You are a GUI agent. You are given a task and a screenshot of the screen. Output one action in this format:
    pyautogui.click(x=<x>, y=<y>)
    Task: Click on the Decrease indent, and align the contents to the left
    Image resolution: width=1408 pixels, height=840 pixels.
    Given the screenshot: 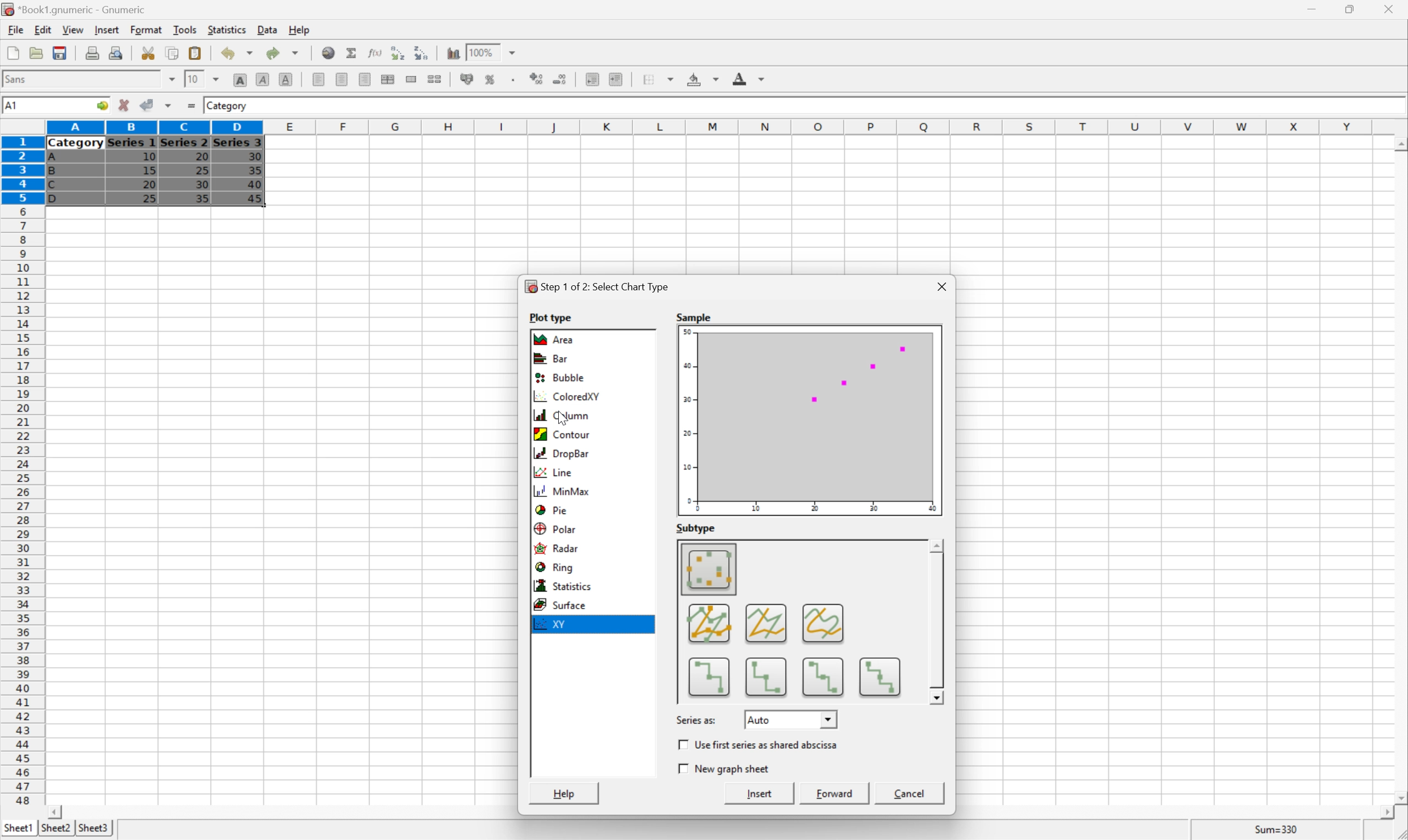 What is the action you would take?
    pyautogui.click(x=592, y=79)
    